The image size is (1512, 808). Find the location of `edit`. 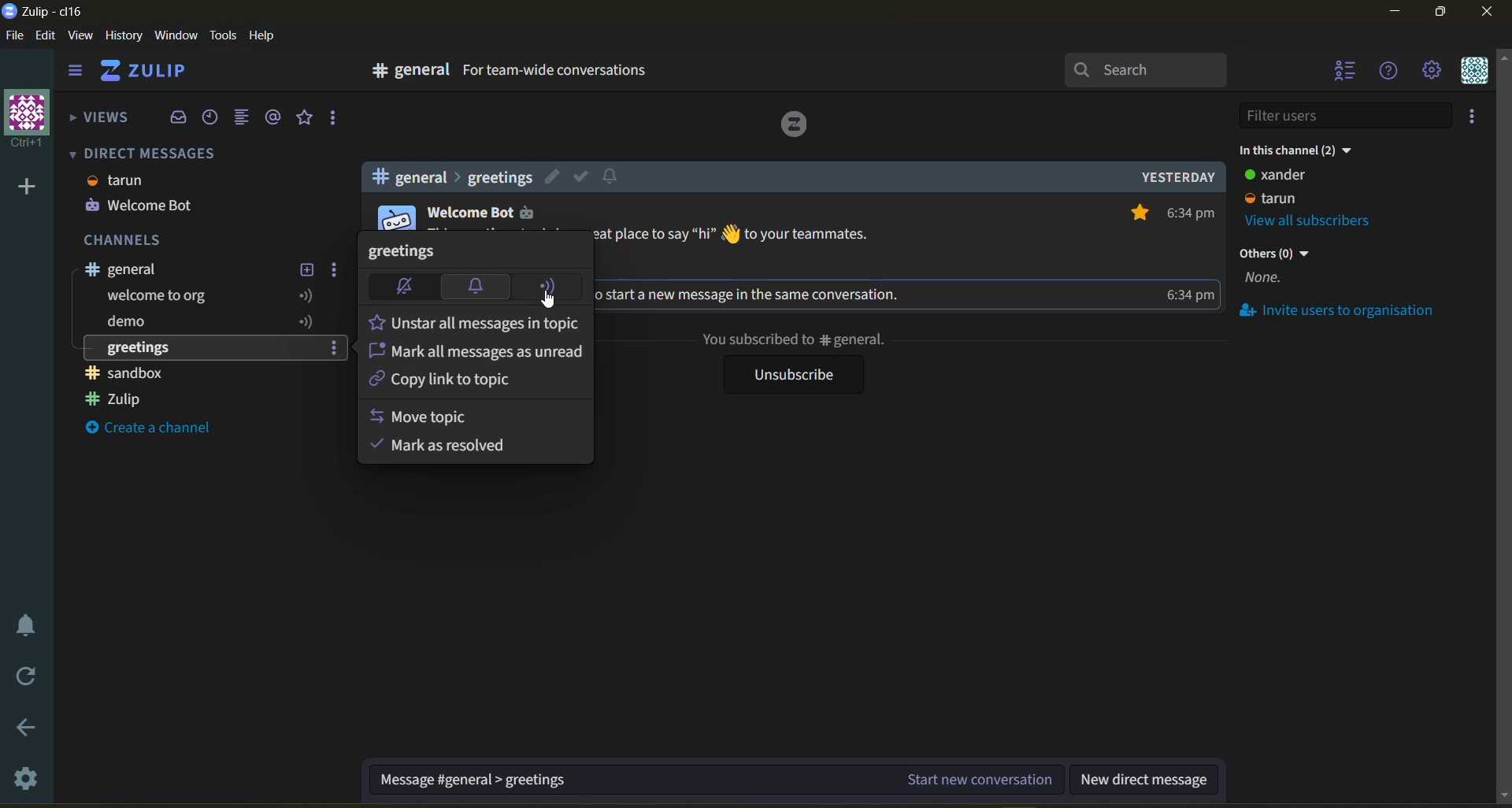

edit is located at coordinates (554, 176).